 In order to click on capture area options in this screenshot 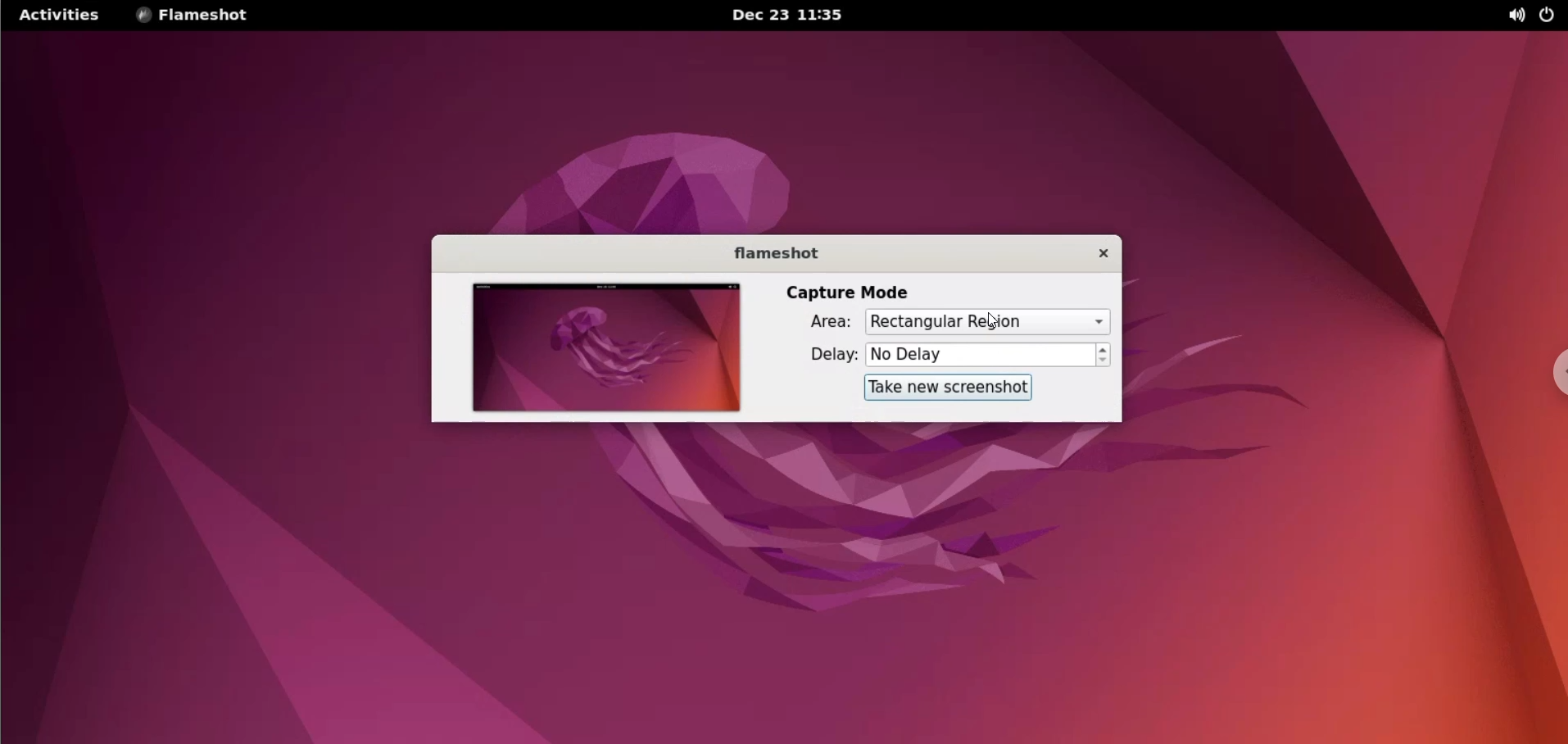, I will do `click(990, 322)`.